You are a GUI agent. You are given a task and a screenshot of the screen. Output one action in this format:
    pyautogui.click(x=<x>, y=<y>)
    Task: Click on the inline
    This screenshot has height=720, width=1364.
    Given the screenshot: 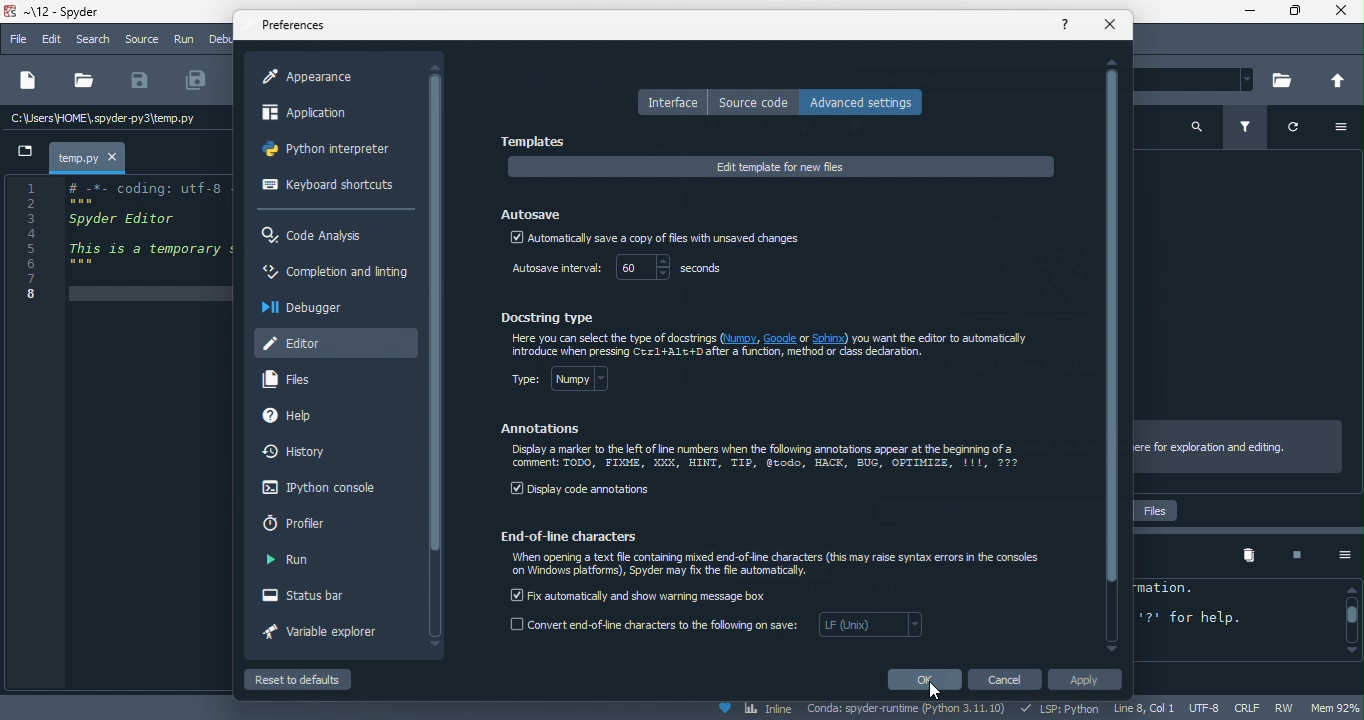 What is the action you would take?
    pyautogui.click(x=754, y=710)
    